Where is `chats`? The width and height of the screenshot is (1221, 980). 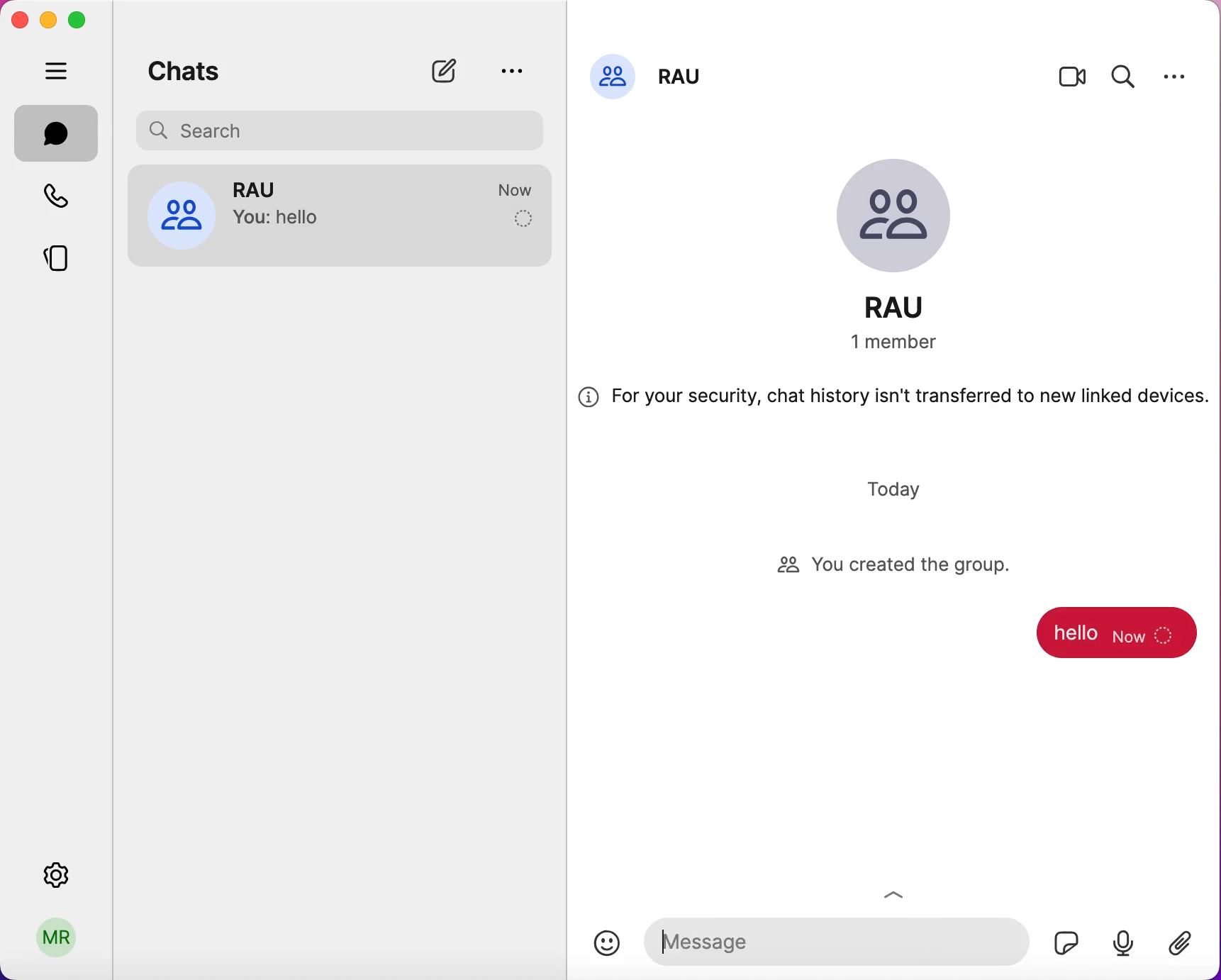 chats is located at coordinates (184, 68).